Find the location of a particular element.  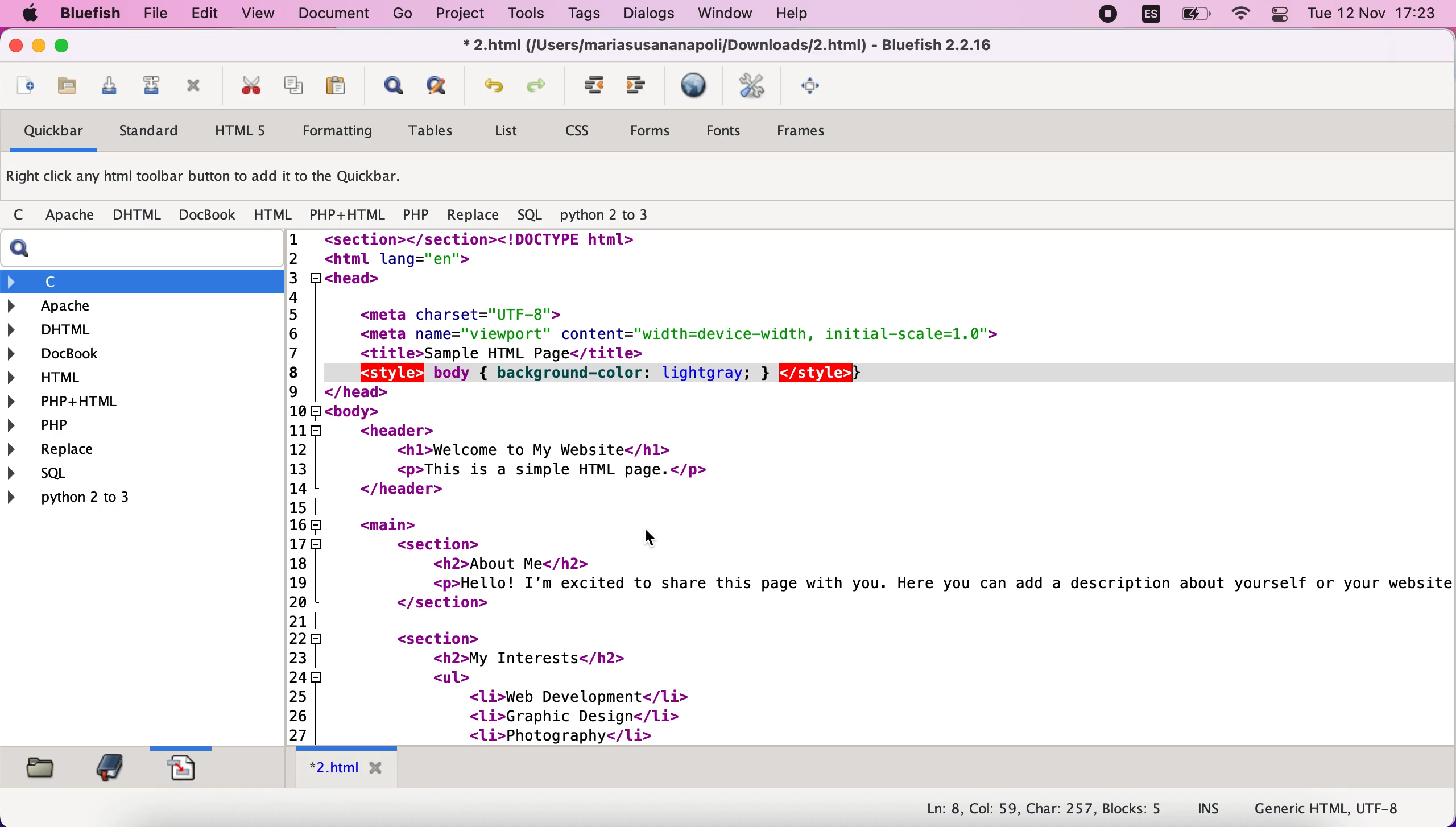

open file is located at coordinates (67, 86).